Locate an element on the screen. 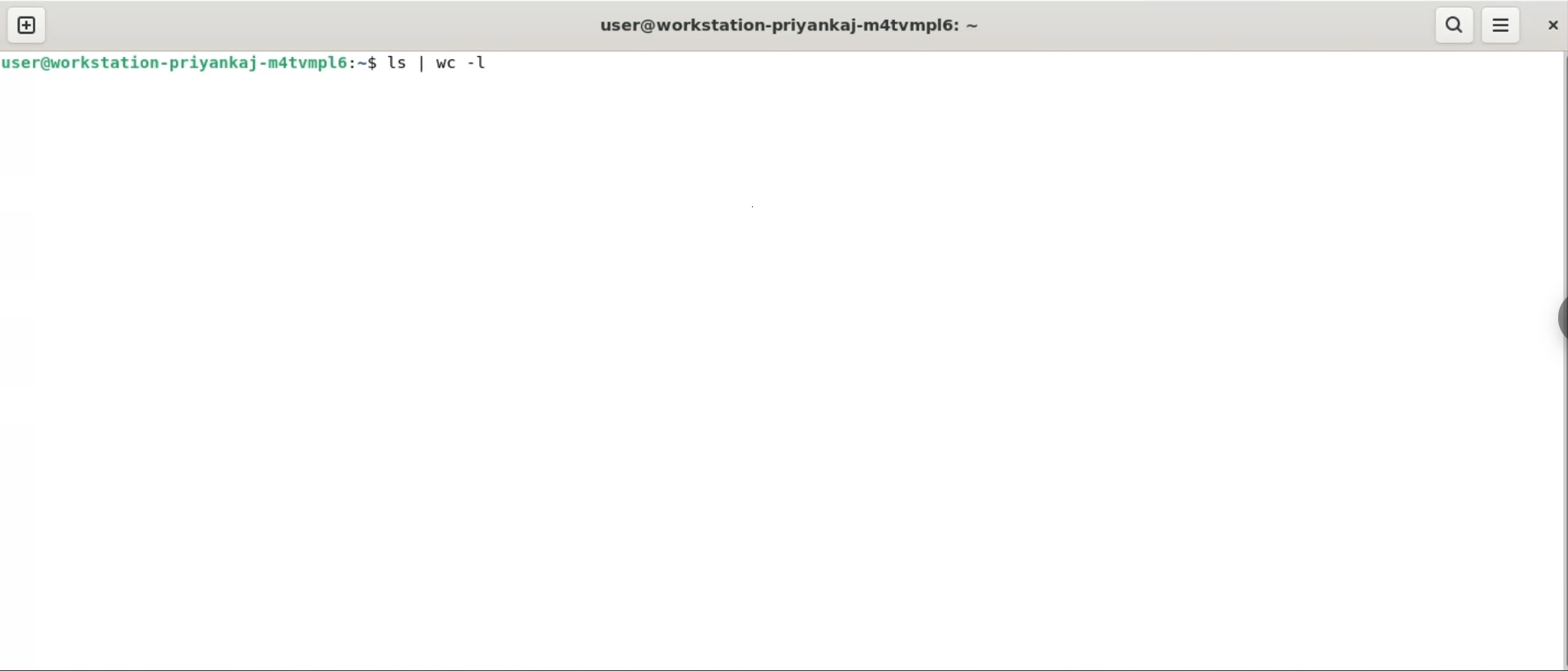 This screenshot has width=1568, height=671. search is located at coordinates (1455, 26).